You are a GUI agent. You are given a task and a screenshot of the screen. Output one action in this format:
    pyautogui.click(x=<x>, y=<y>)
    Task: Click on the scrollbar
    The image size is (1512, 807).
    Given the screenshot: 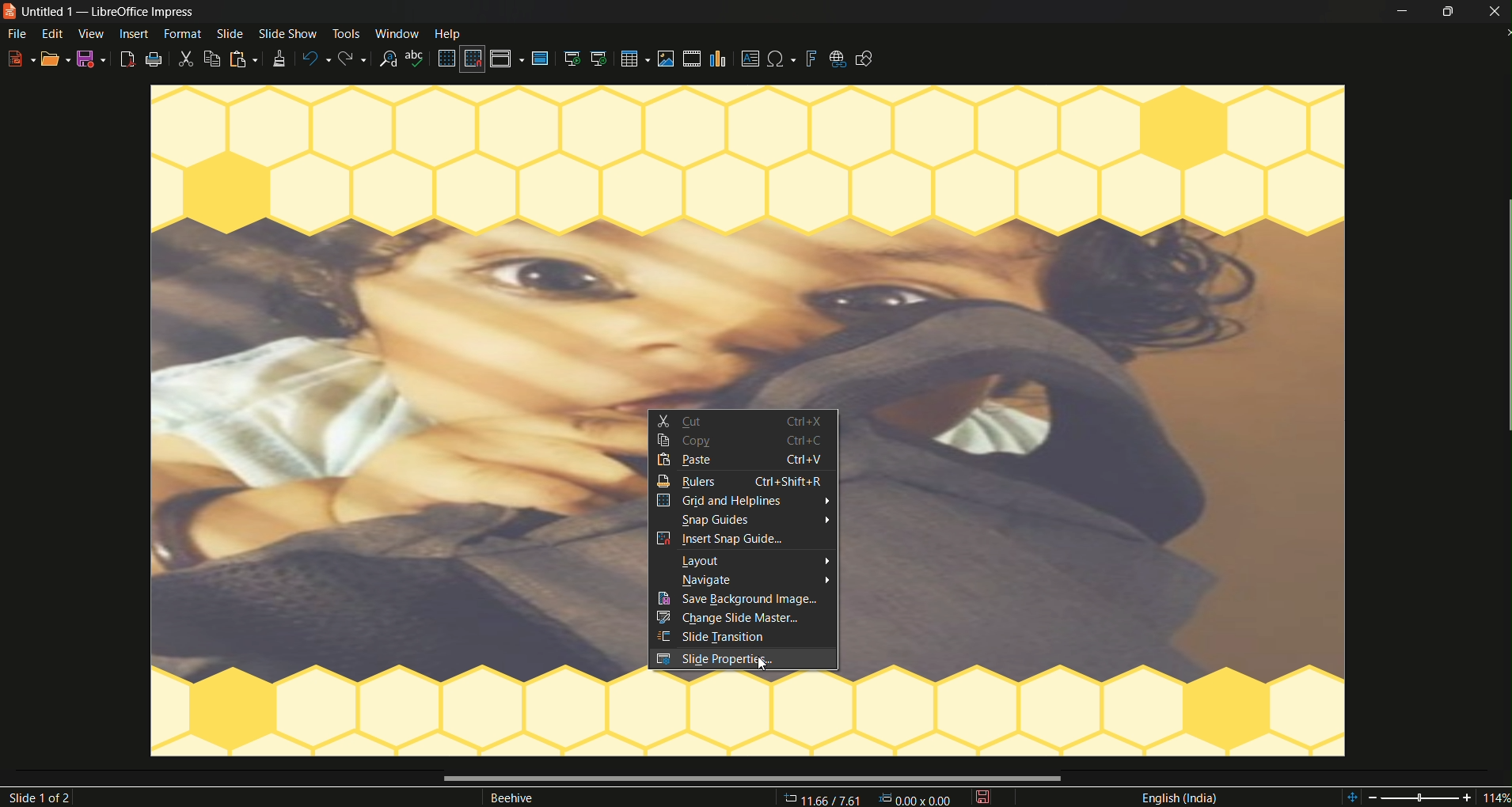 What is the action you would take?
    pyautogui.click(x=749, y=779)
    